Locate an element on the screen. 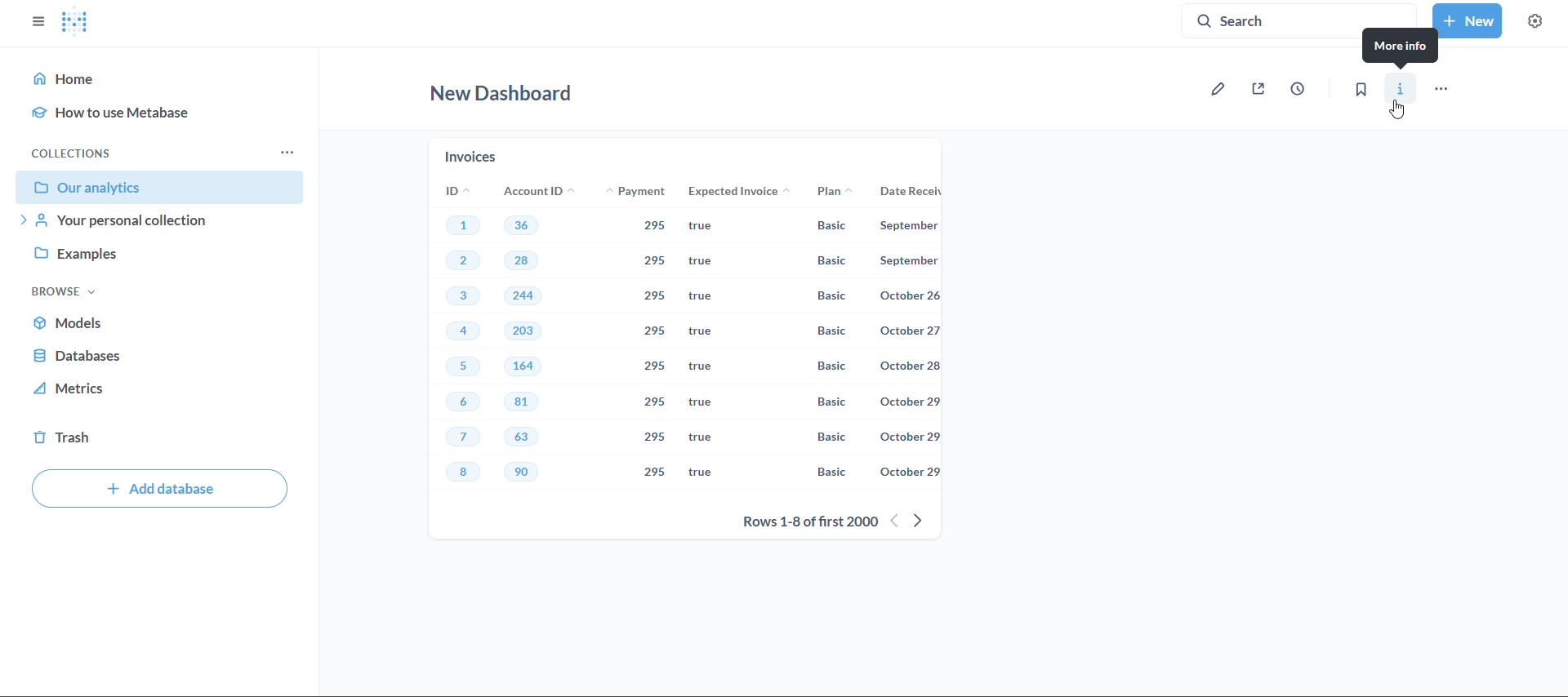  true is located at coordinates (706, 331).